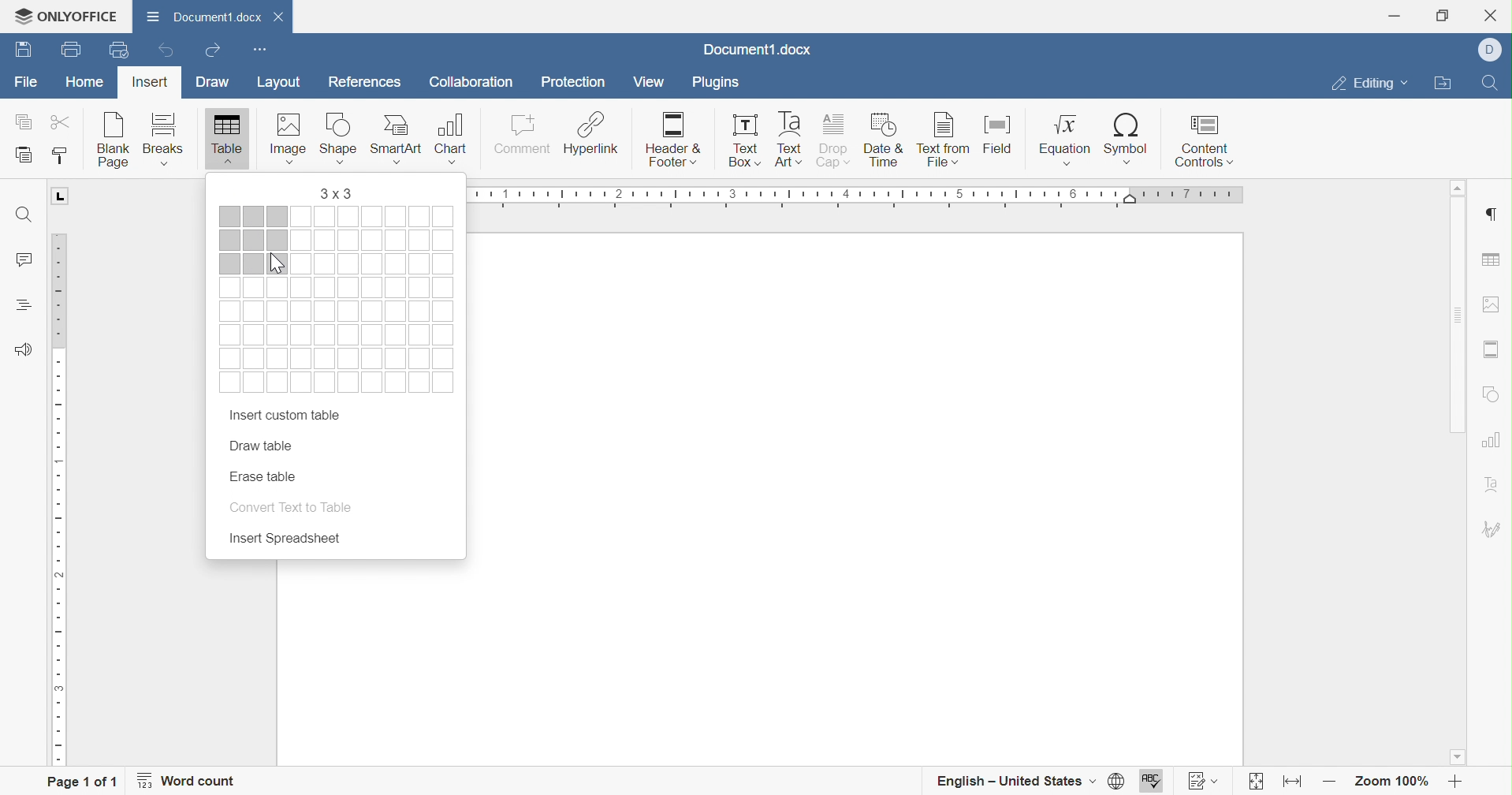  What do you see at coordinates (885, 141) in the screenshot?
I see `Date & time` at bounding box center [885, 141].